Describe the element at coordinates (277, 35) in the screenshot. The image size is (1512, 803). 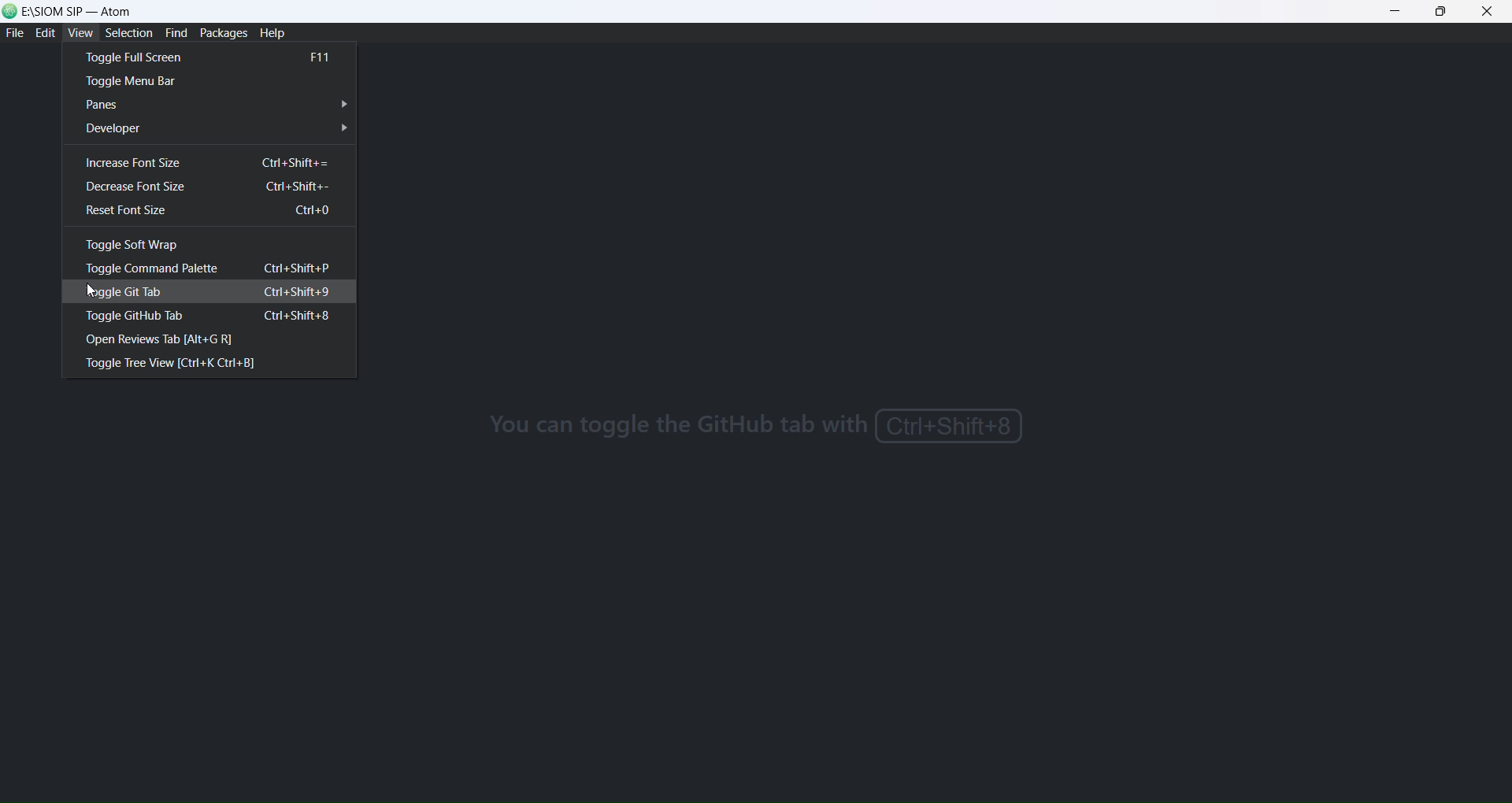
I see `help` at that location.